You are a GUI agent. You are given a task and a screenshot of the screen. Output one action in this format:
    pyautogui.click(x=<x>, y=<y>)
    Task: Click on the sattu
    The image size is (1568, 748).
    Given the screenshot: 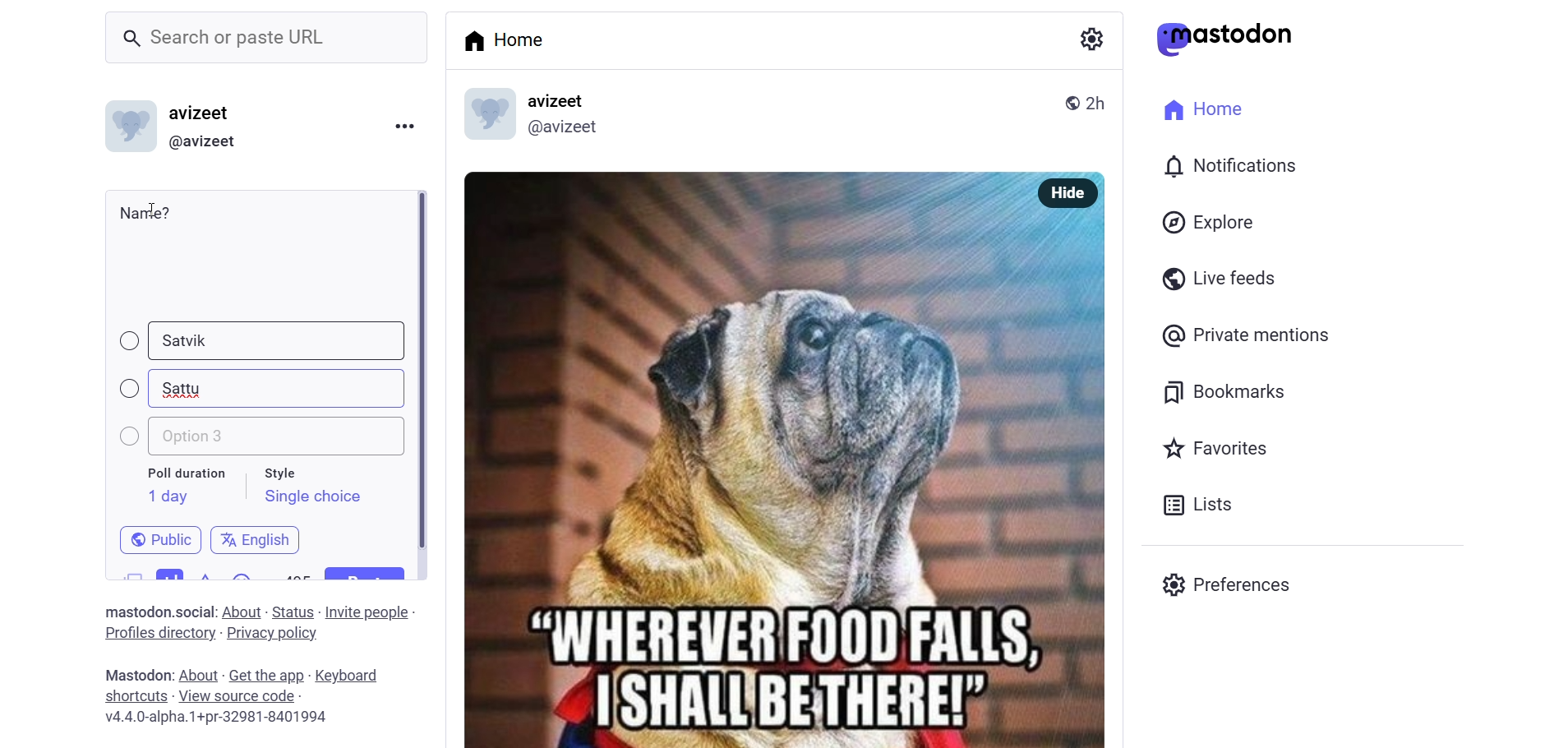 What is the action you would take?
    pyautogui.click(x=188, y=386)
    